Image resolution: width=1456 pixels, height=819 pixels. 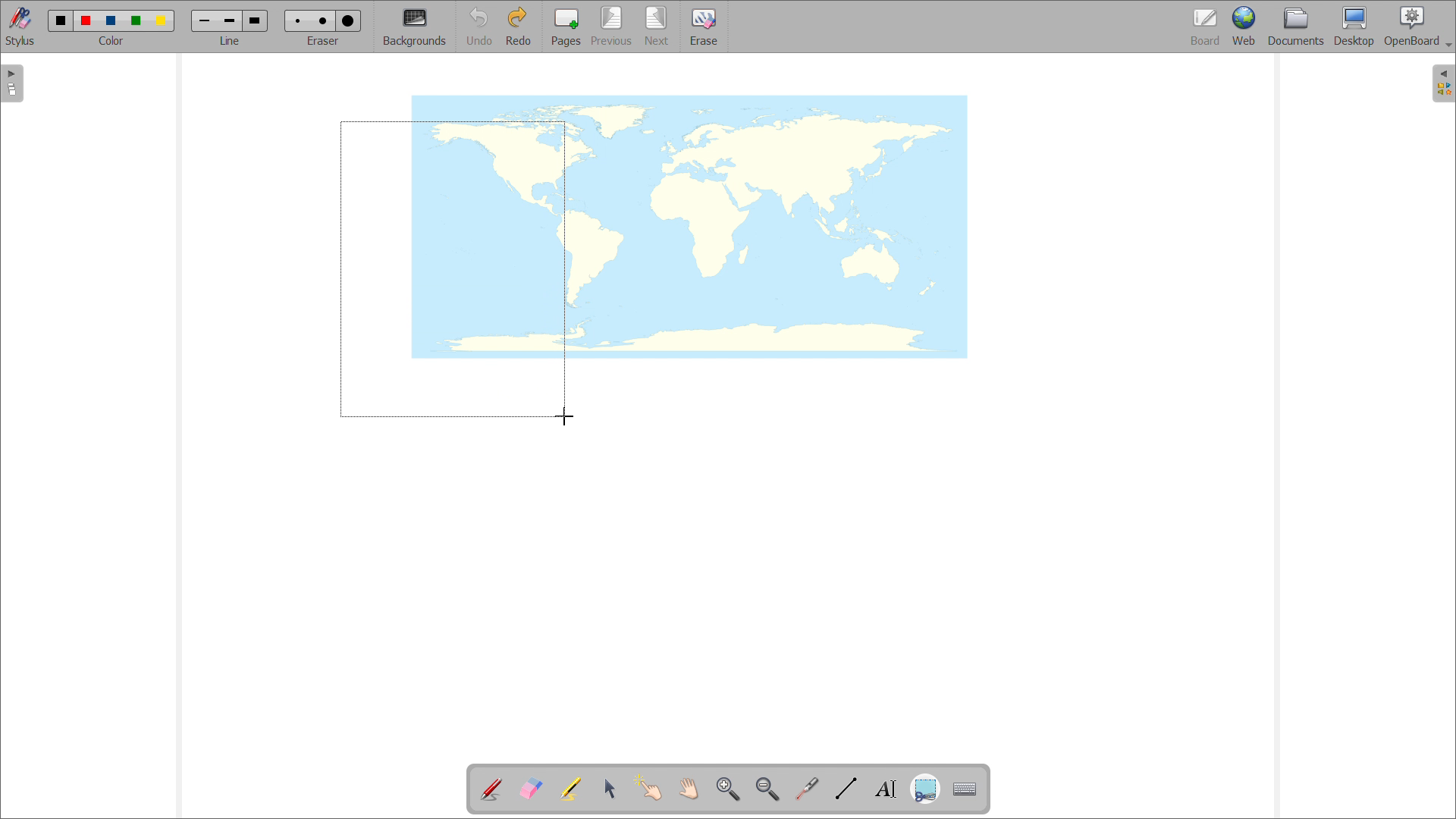 I want to click on medium, so click(x=229, y=21).